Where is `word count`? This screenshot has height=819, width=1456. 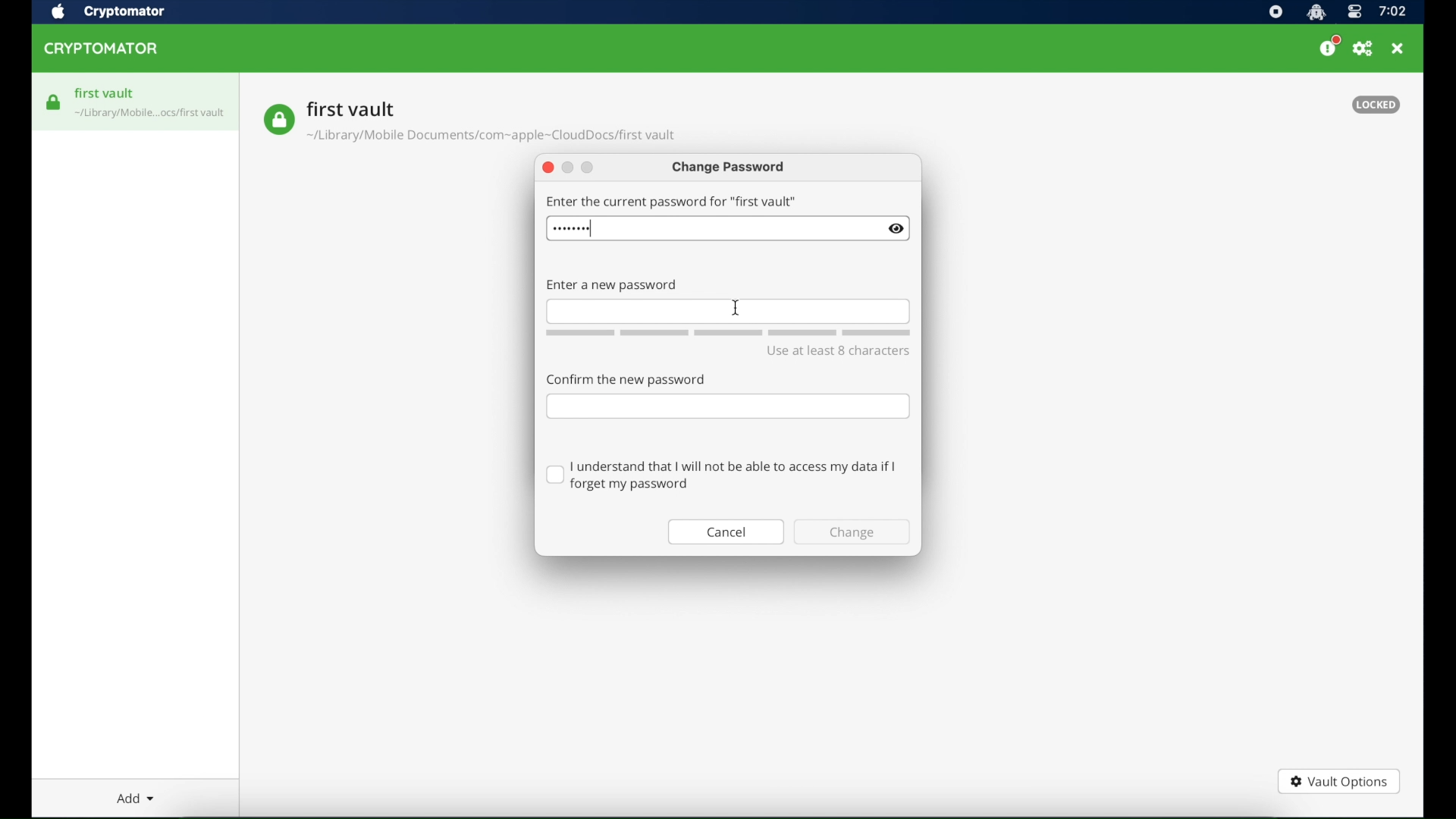 word count is located at coordinates (728, 333).